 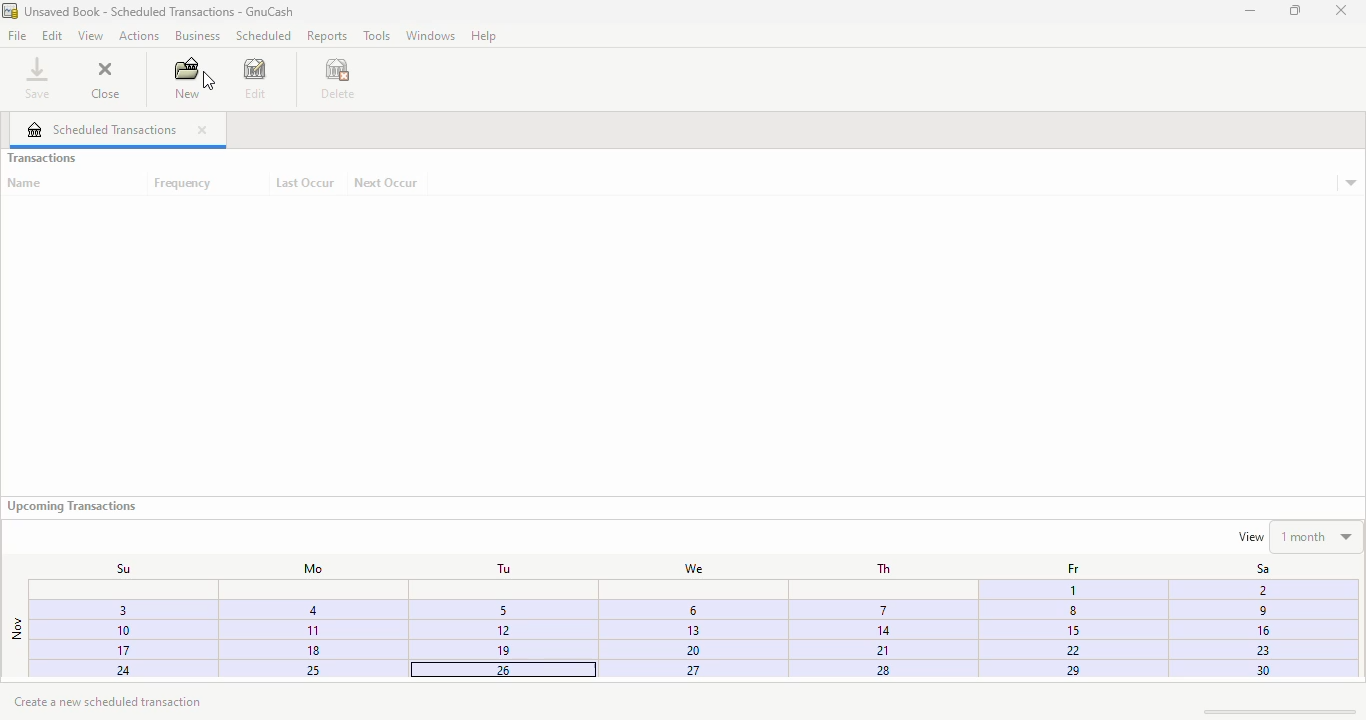 I want to click on save, so click(x=38, y=77).